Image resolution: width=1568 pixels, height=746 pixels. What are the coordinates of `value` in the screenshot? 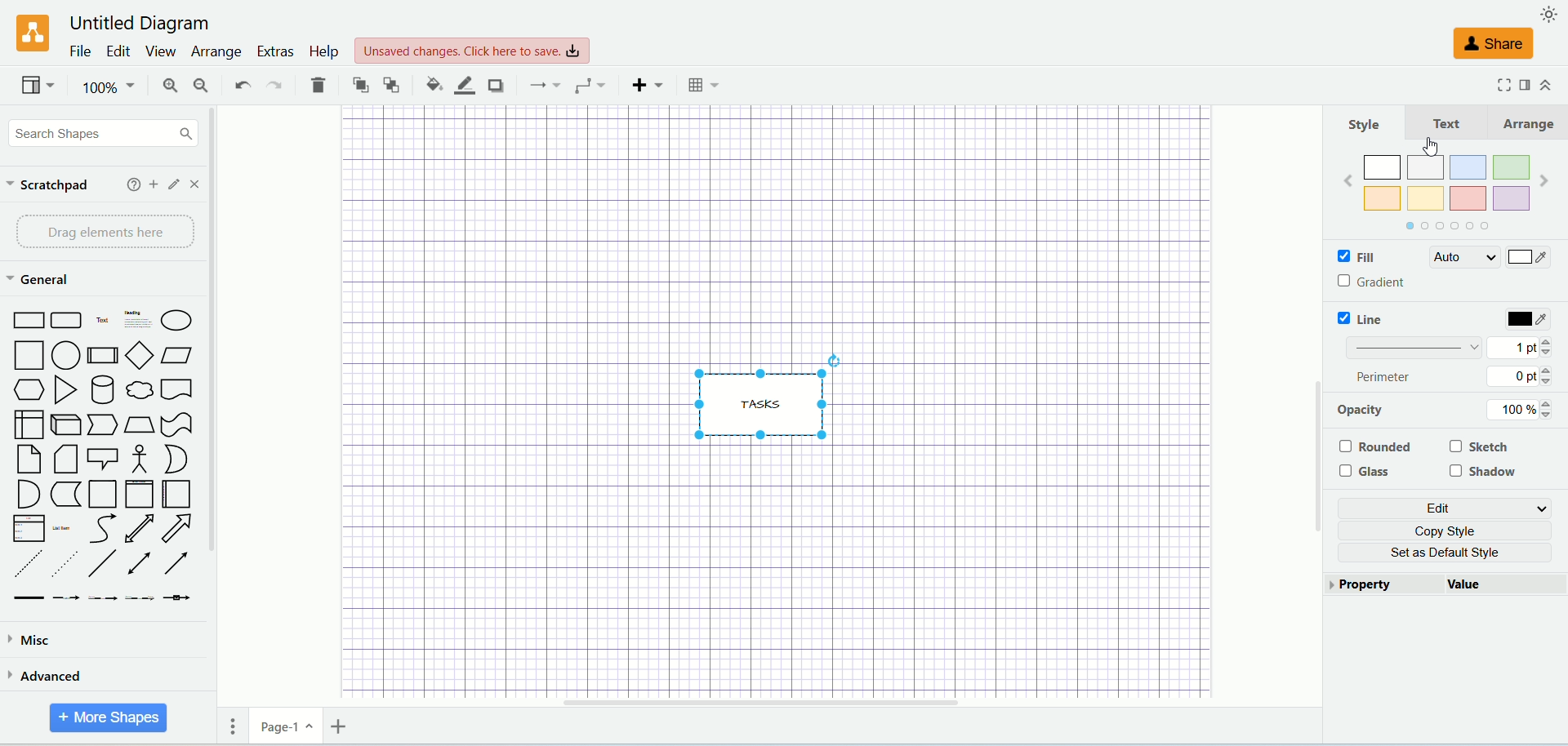 It's located at (1508, 584).